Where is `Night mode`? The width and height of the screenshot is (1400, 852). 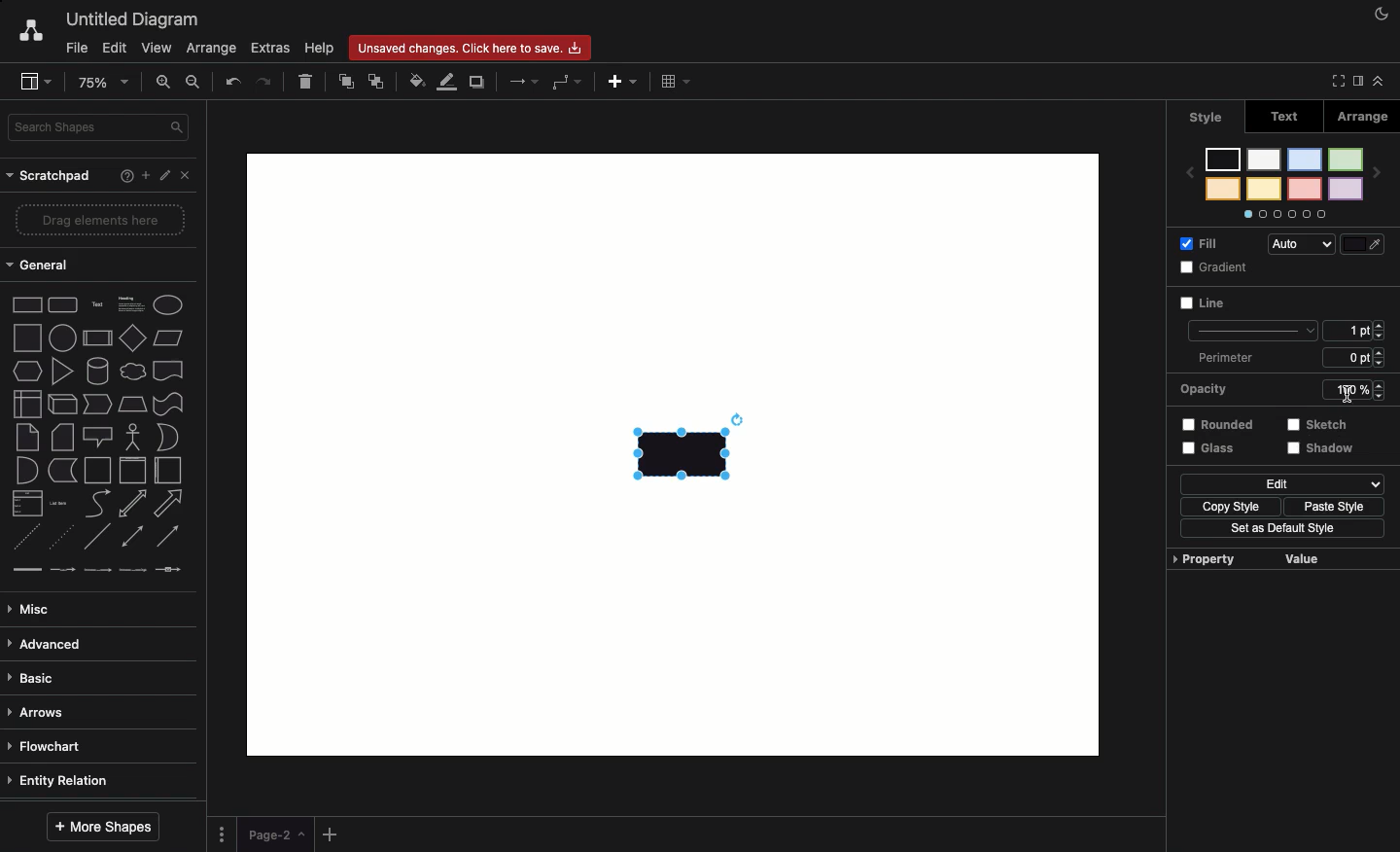
Night mode is located at coordinates (1380, 13).